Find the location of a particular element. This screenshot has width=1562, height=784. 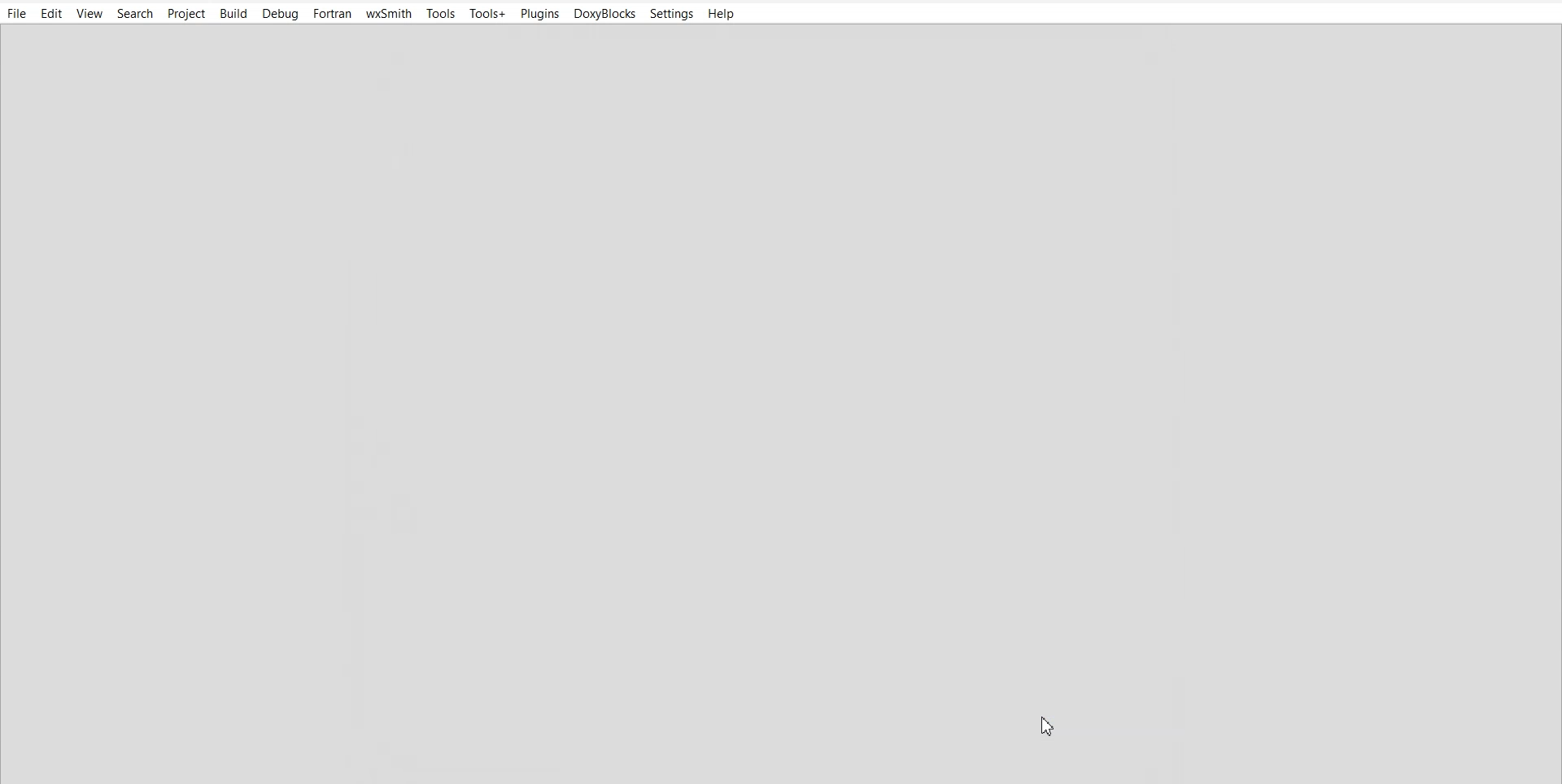

Tools+ is located at coordinates (489, 12).